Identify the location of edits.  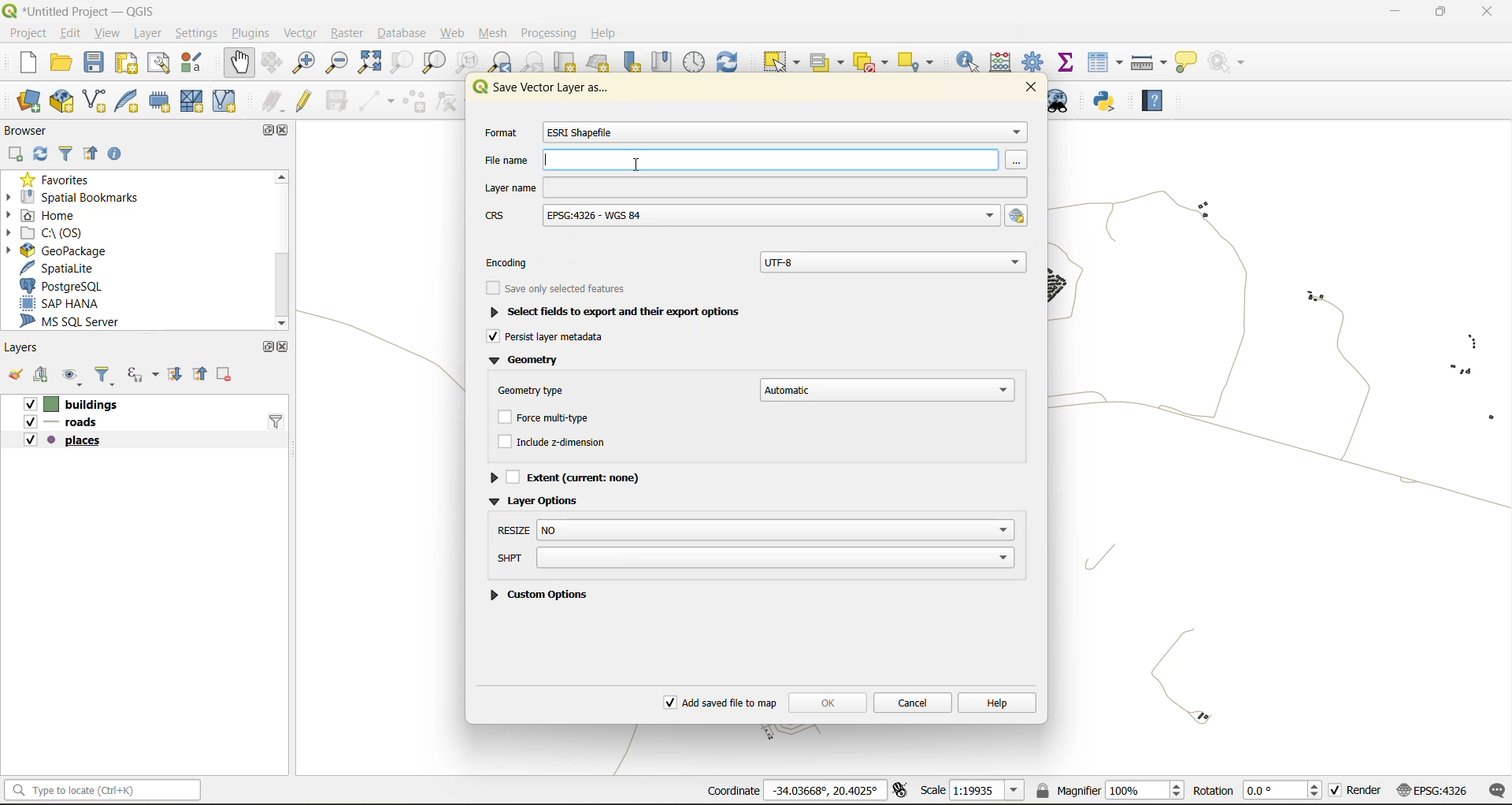
(272, 99).